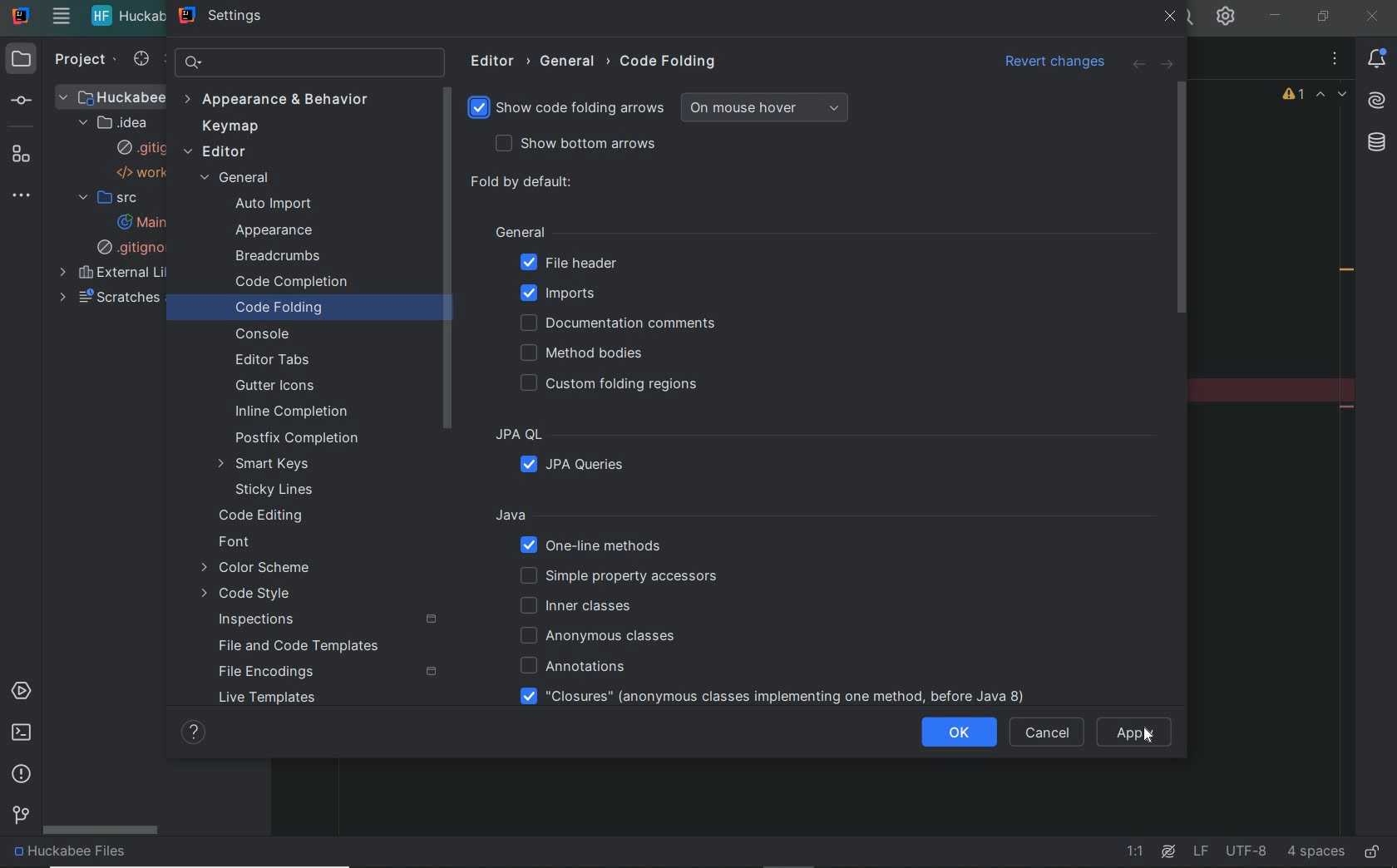  What do you see at coordinates (1246, 851) in the screenshot?
I see `file encoding` at bounding box center [1246, 851].